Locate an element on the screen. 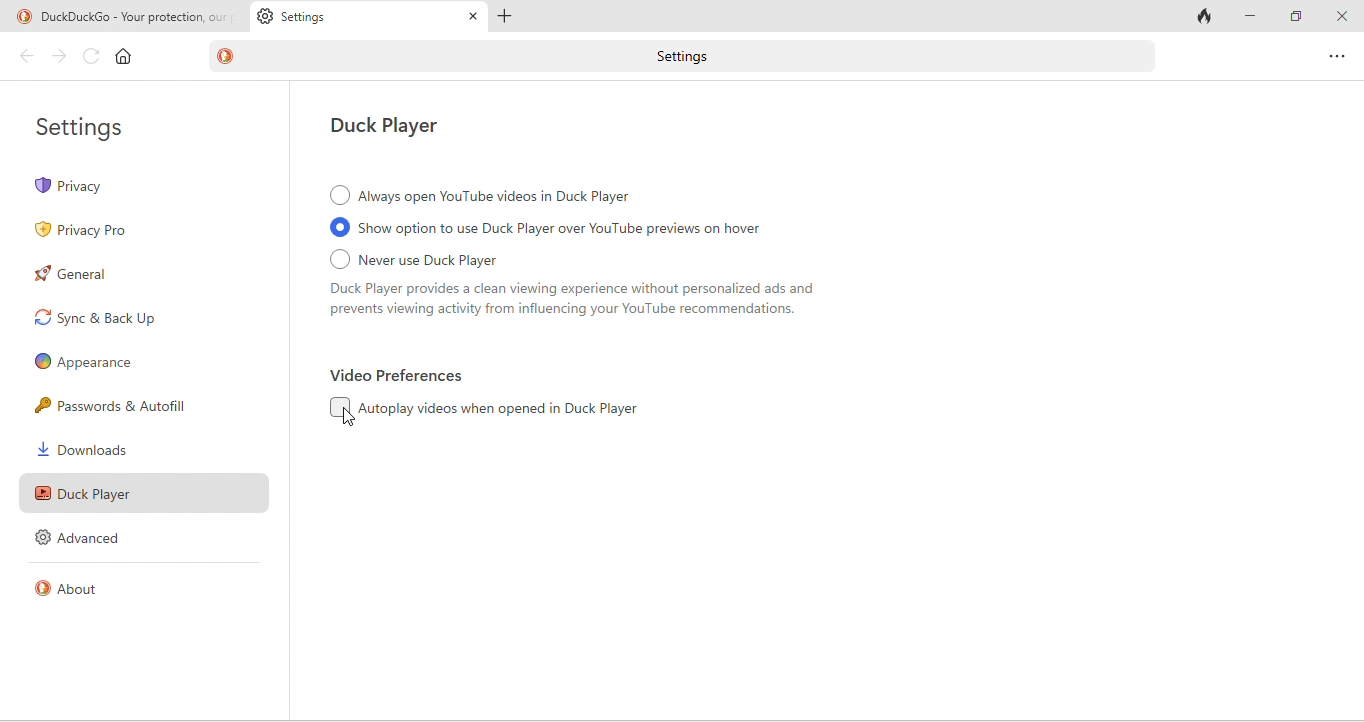 The width and height of the screenshot is (1364, 722). maximize is located at coordinates (1298, 18).